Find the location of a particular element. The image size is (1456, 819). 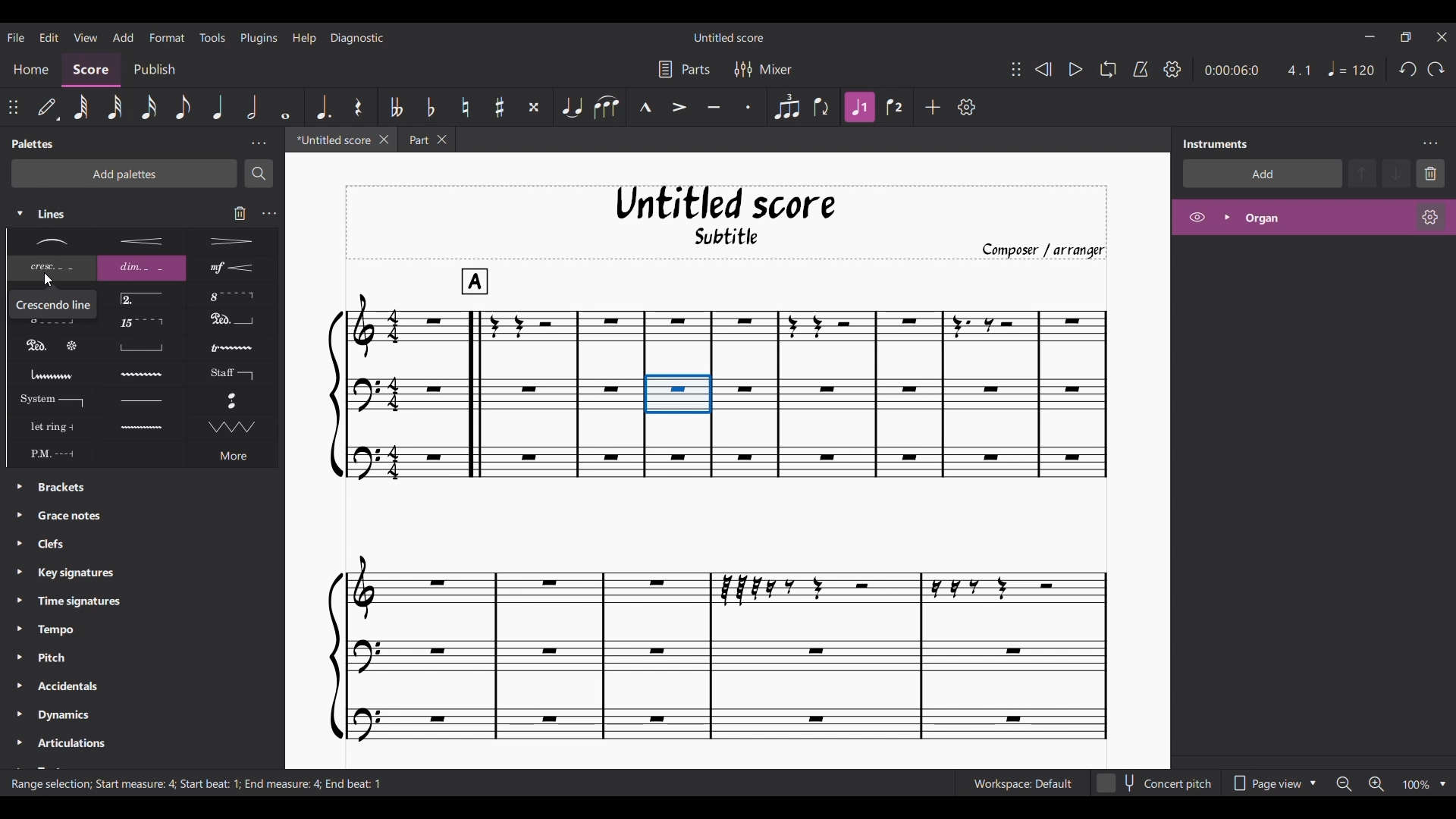

Metronome is located at coordinates (1141, 69).